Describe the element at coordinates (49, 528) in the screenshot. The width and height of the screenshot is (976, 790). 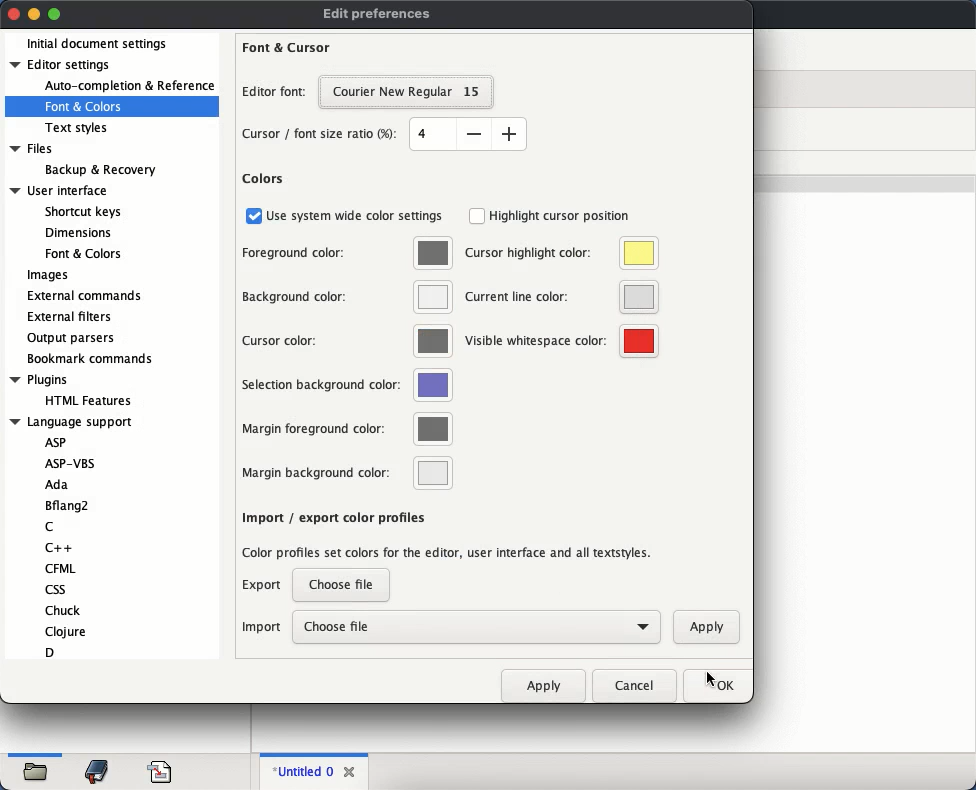
I see `c` at that location.